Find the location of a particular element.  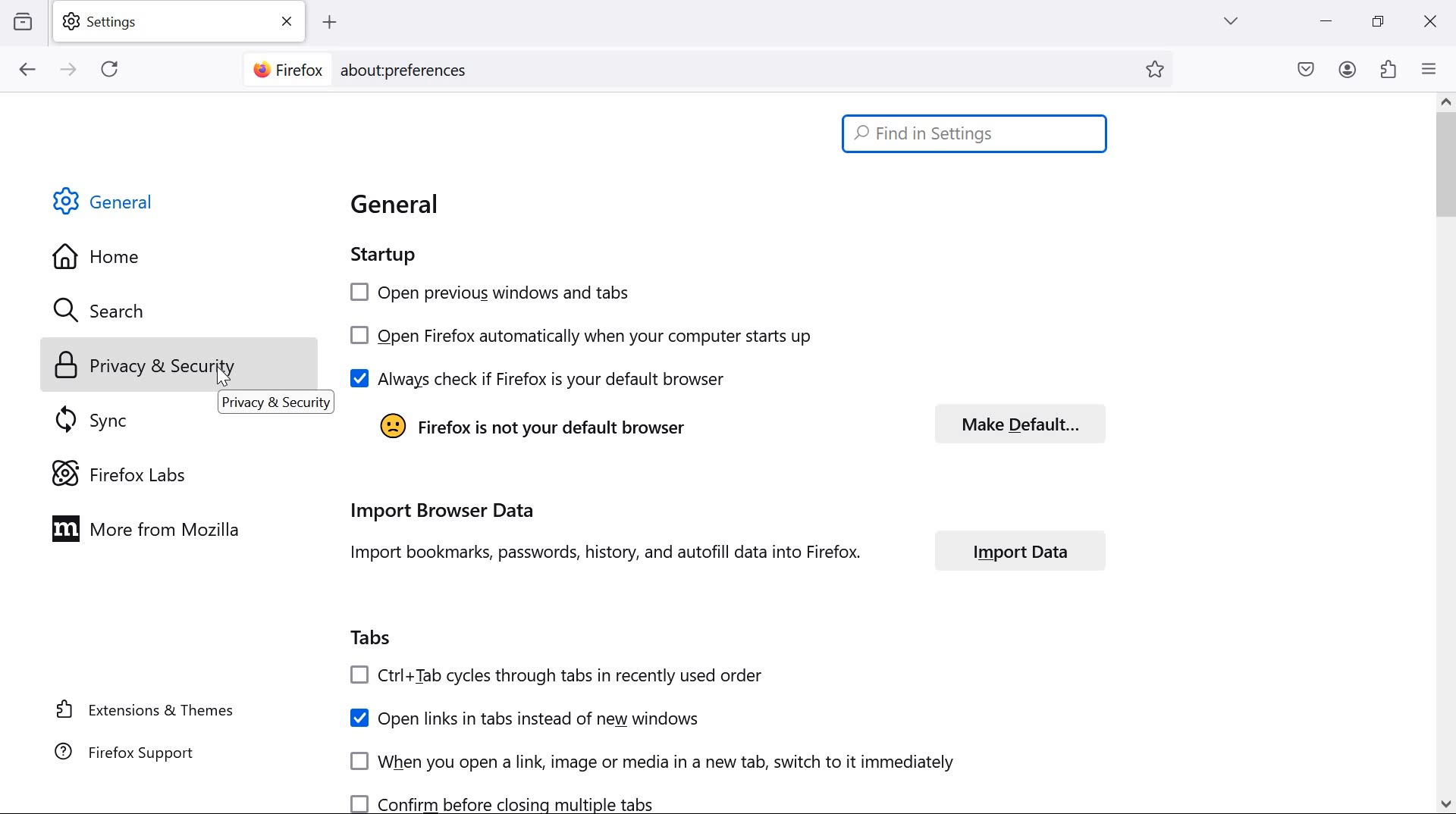

make default is located at coordinates (1029, 423).